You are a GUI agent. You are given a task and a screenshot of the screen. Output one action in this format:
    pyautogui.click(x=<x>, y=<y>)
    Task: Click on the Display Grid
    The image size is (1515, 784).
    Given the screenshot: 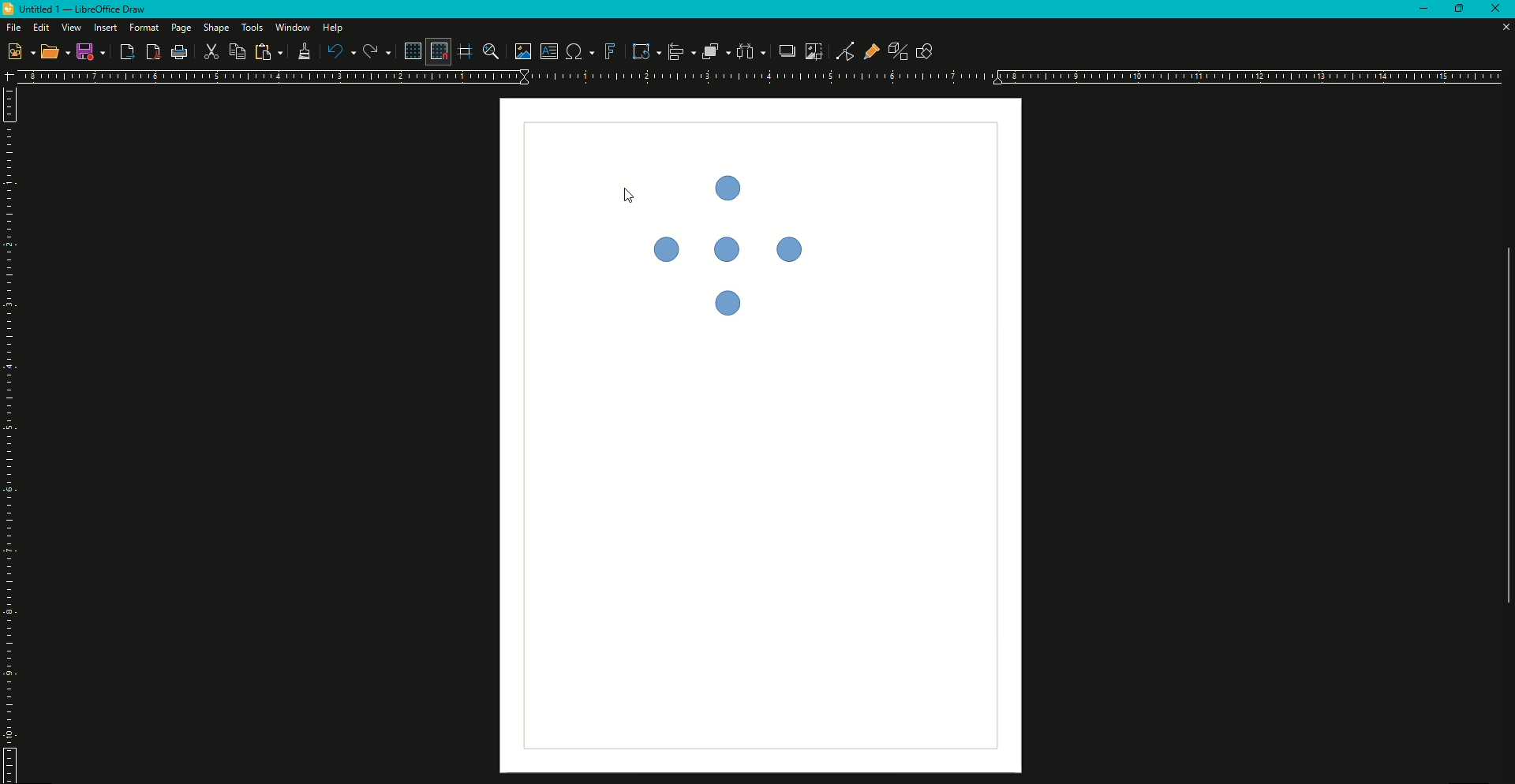 What is the action you would take?
    pyautogui.click(x=412, y=52)
    